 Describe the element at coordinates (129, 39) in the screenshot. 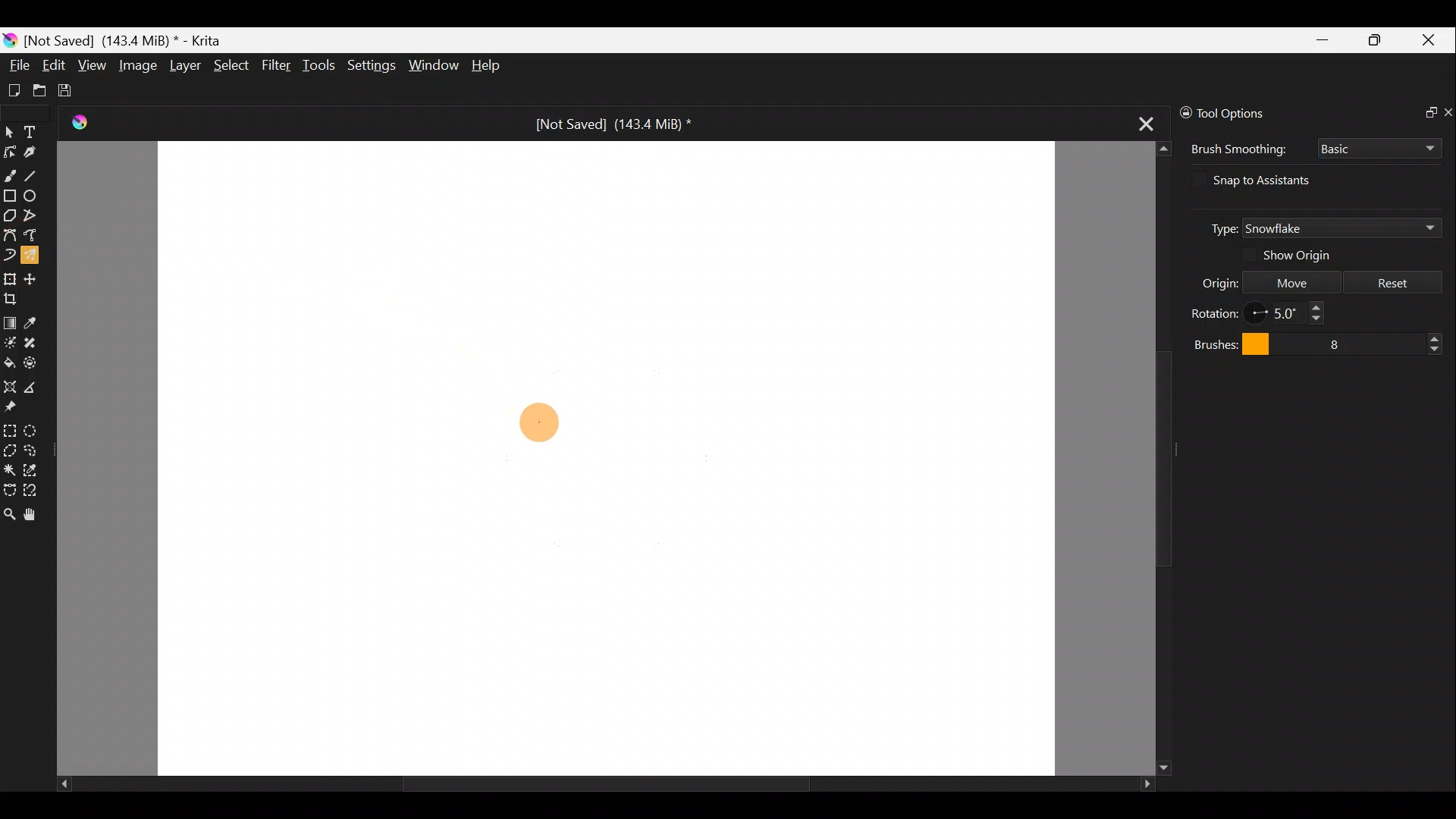

I see `Not Saved] (143.4 MiB) *` at that location.